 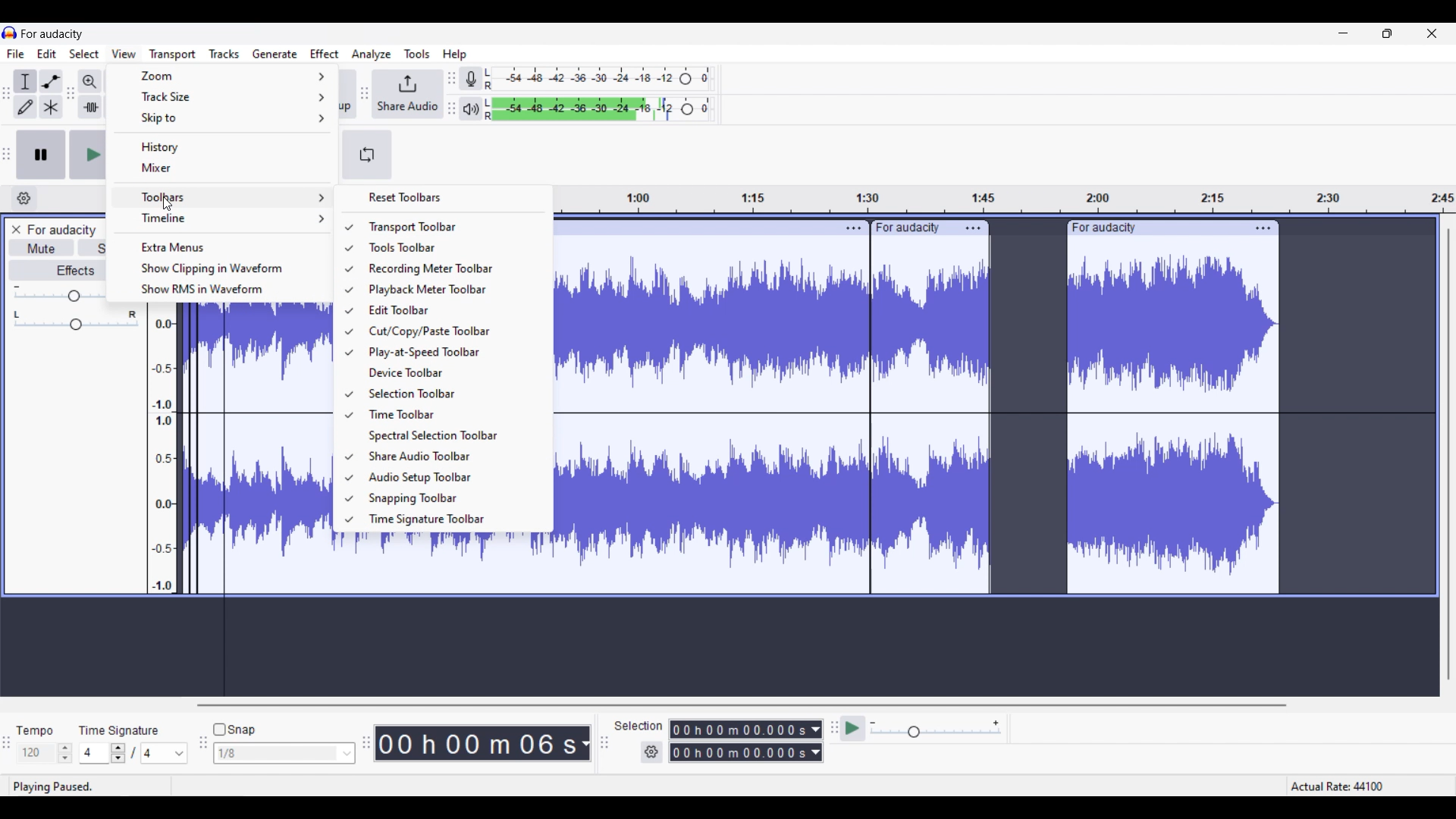 I want to click on Share audio toolbar, so click(x=450, y=456).